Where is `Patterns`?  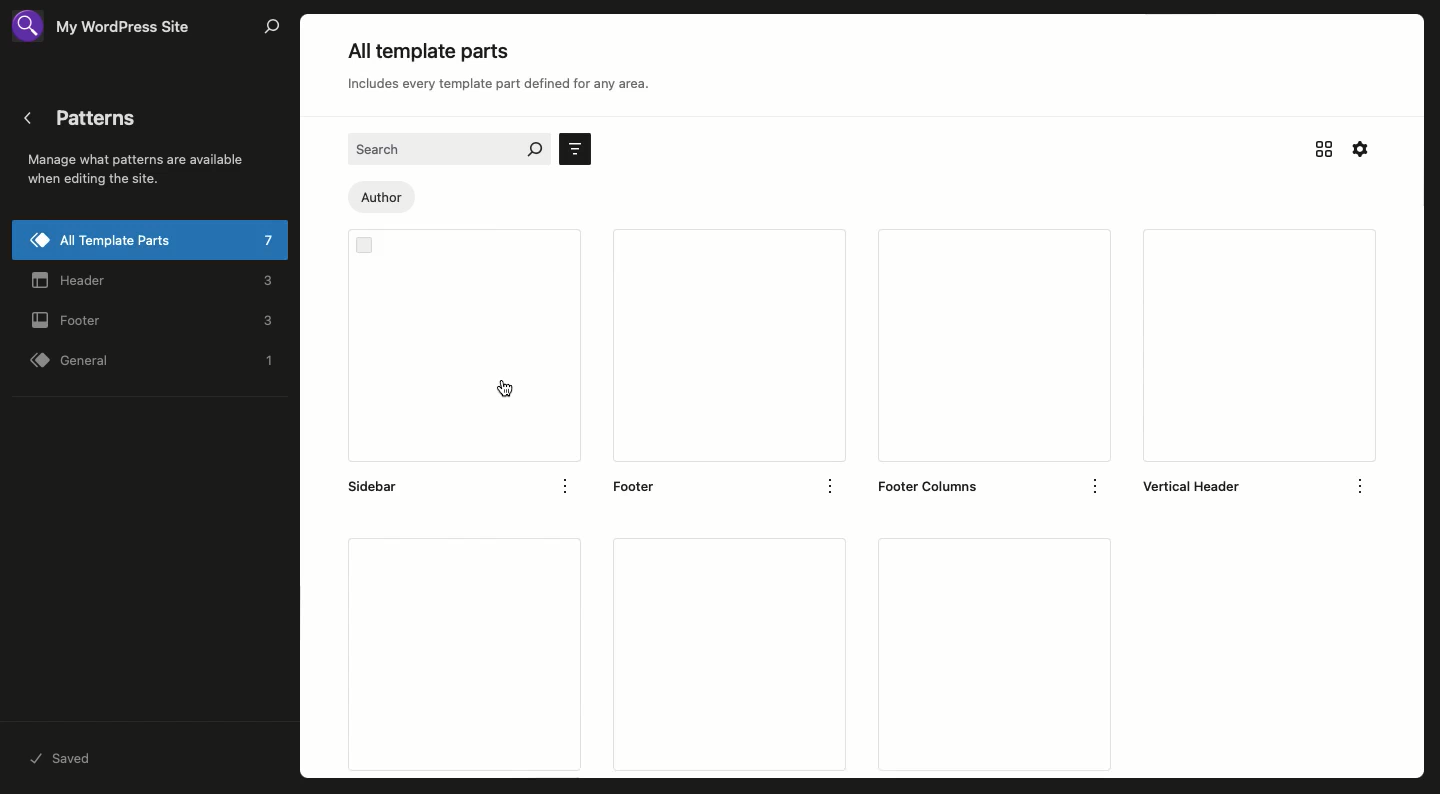 Patterns is located at coordinates (105, 121).